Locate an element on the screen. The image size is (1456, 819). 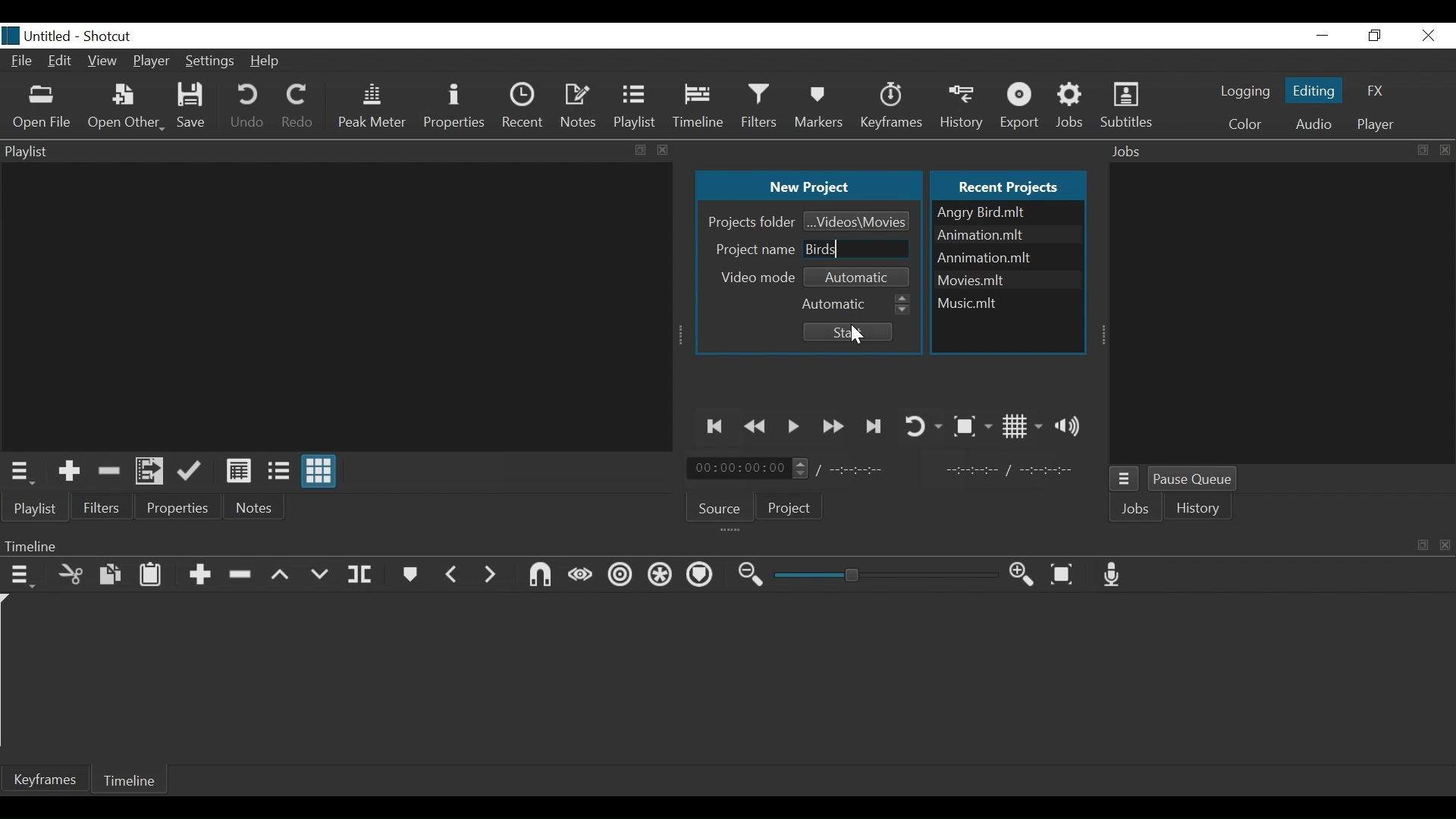
Skip to the next point is located at coordinates (874, 426).